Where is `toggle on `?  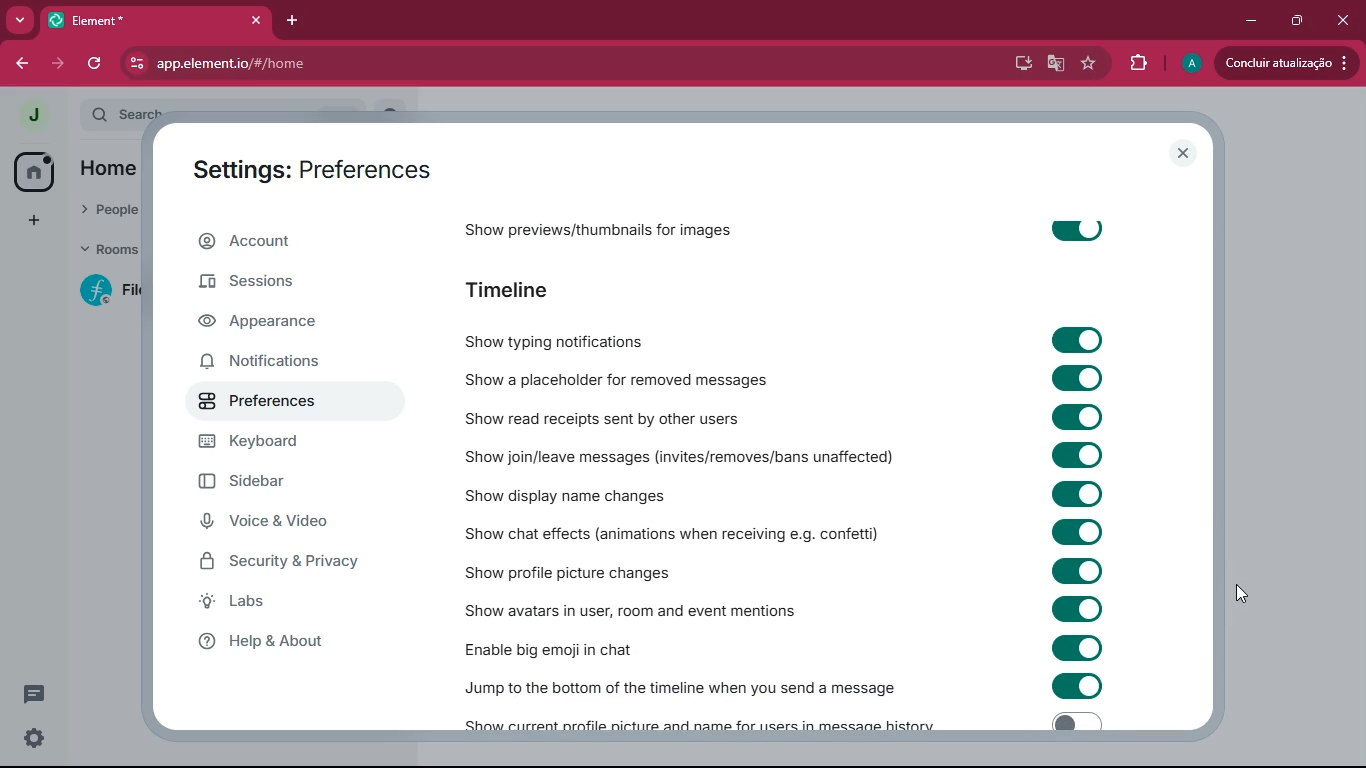
toggle on  is located at coordinates (1079, 532).